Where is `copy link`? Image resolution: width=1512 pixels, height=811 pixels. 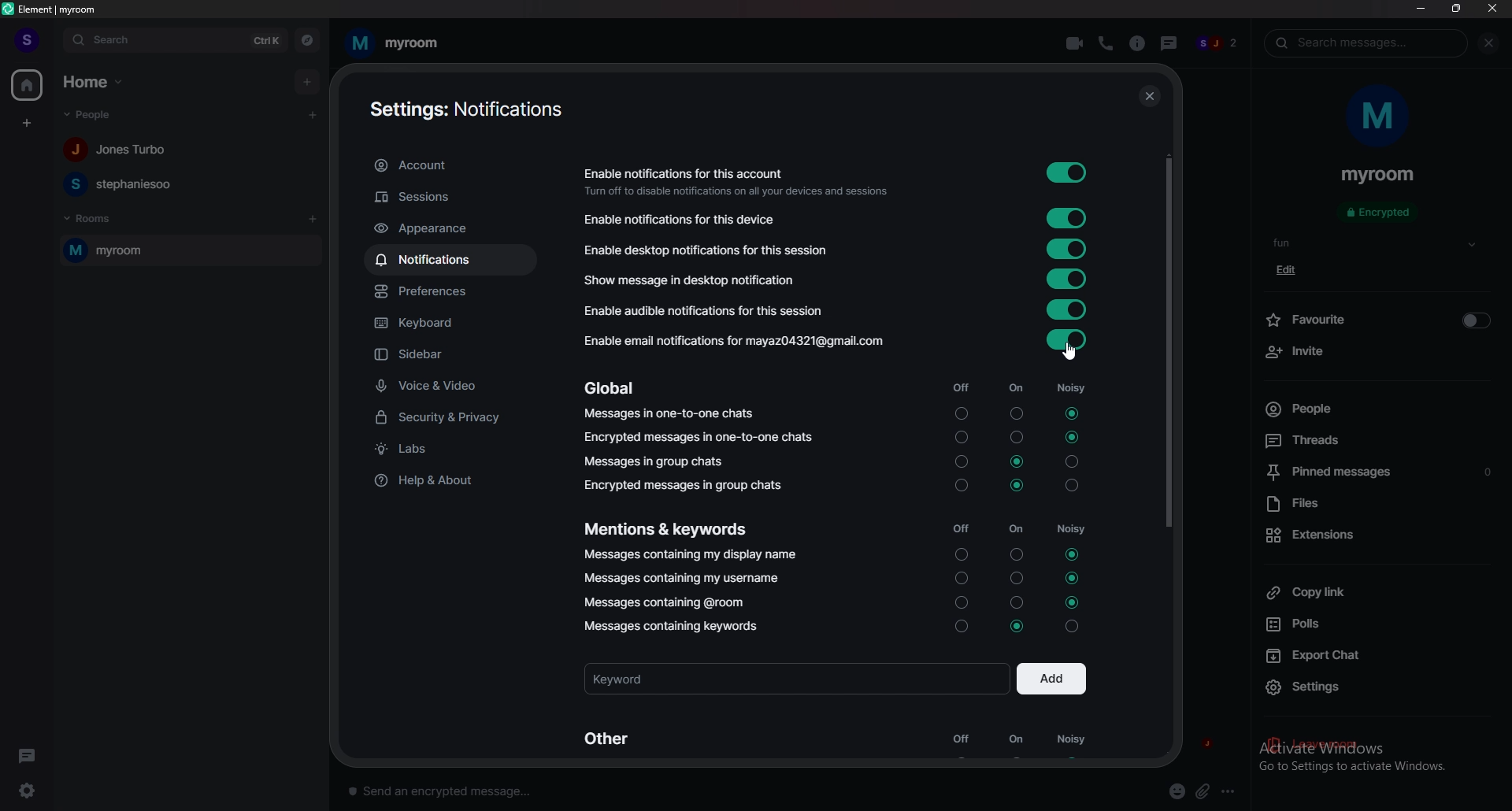
copy link is located at coordinates (1377, 591).